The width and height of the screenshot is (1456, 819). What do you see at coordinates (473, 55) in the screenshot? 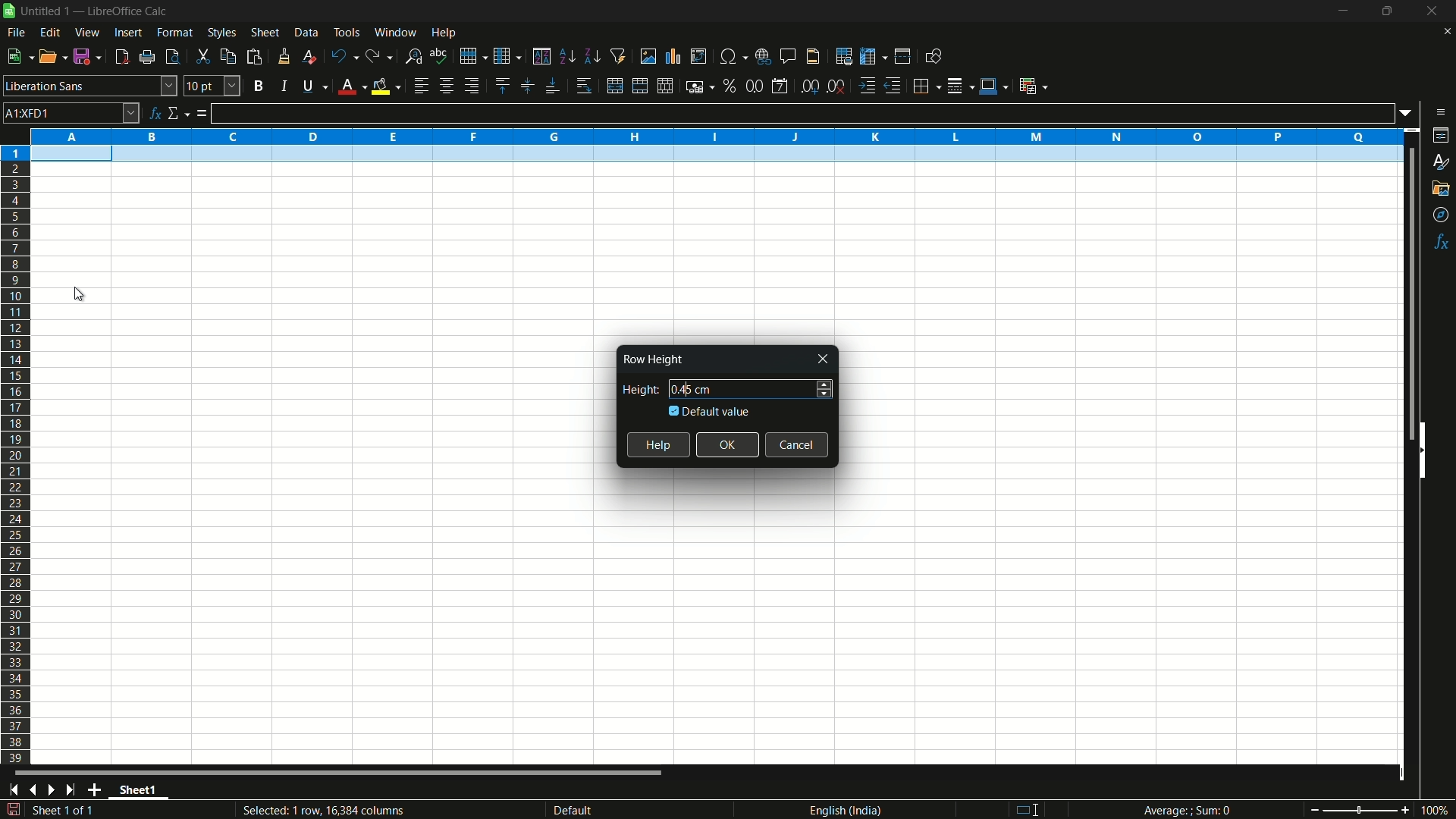
I see `row` at bounding box center [473, 55].